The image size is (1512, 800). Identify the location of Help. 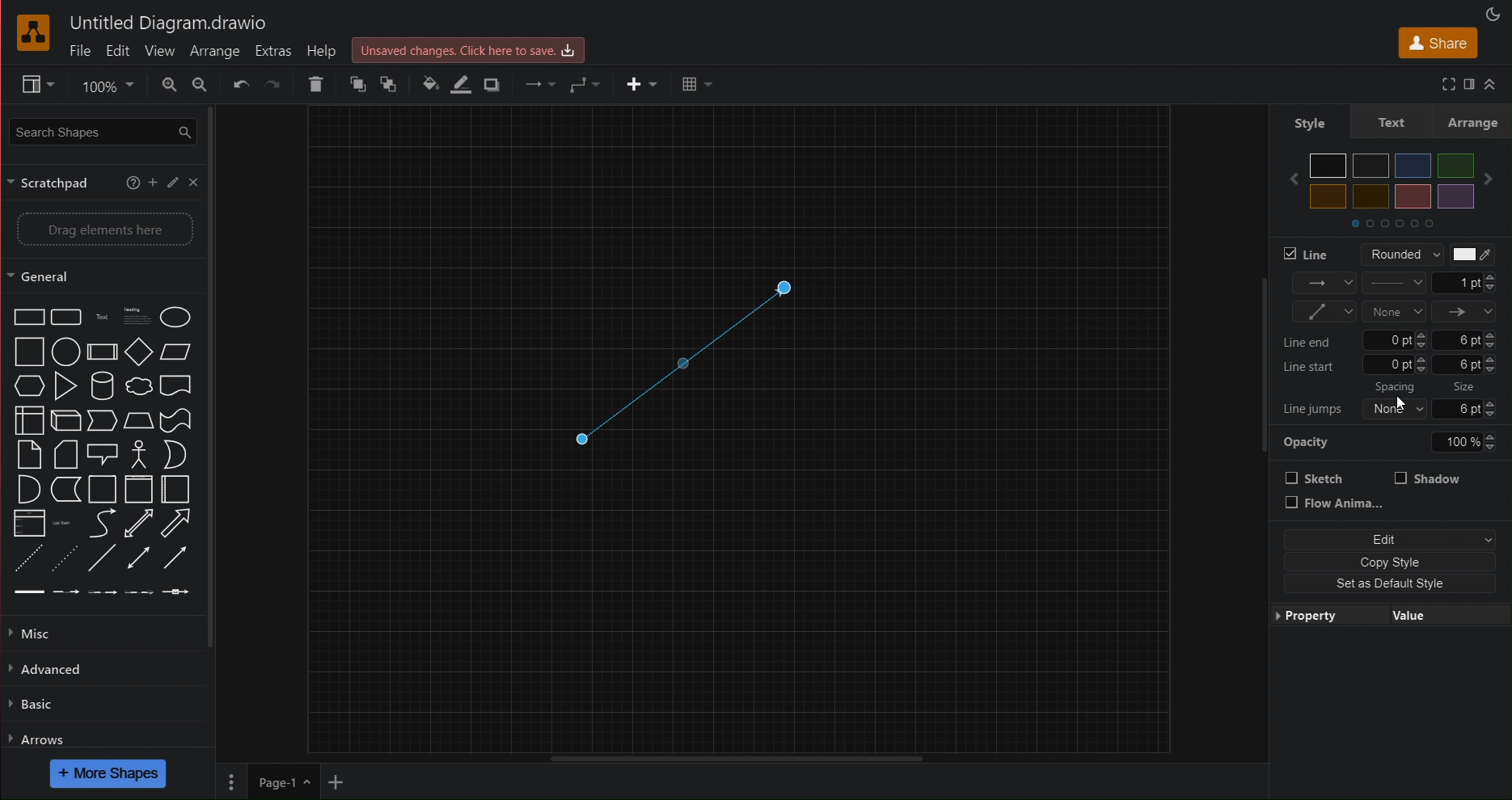
(324, 50).